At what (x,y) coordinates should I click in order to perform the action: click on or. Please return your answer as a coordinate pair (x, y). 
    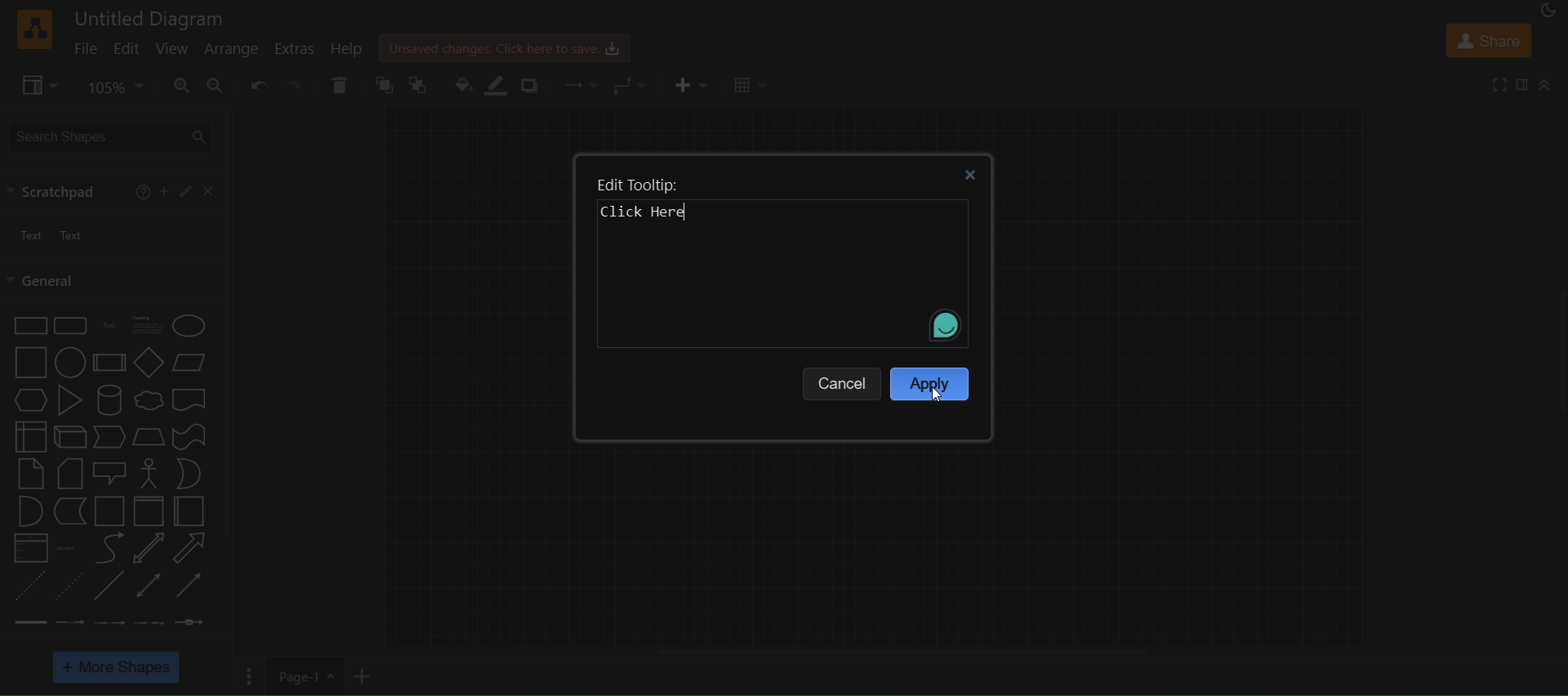
    Looking at the image, I should click on (189, 474).